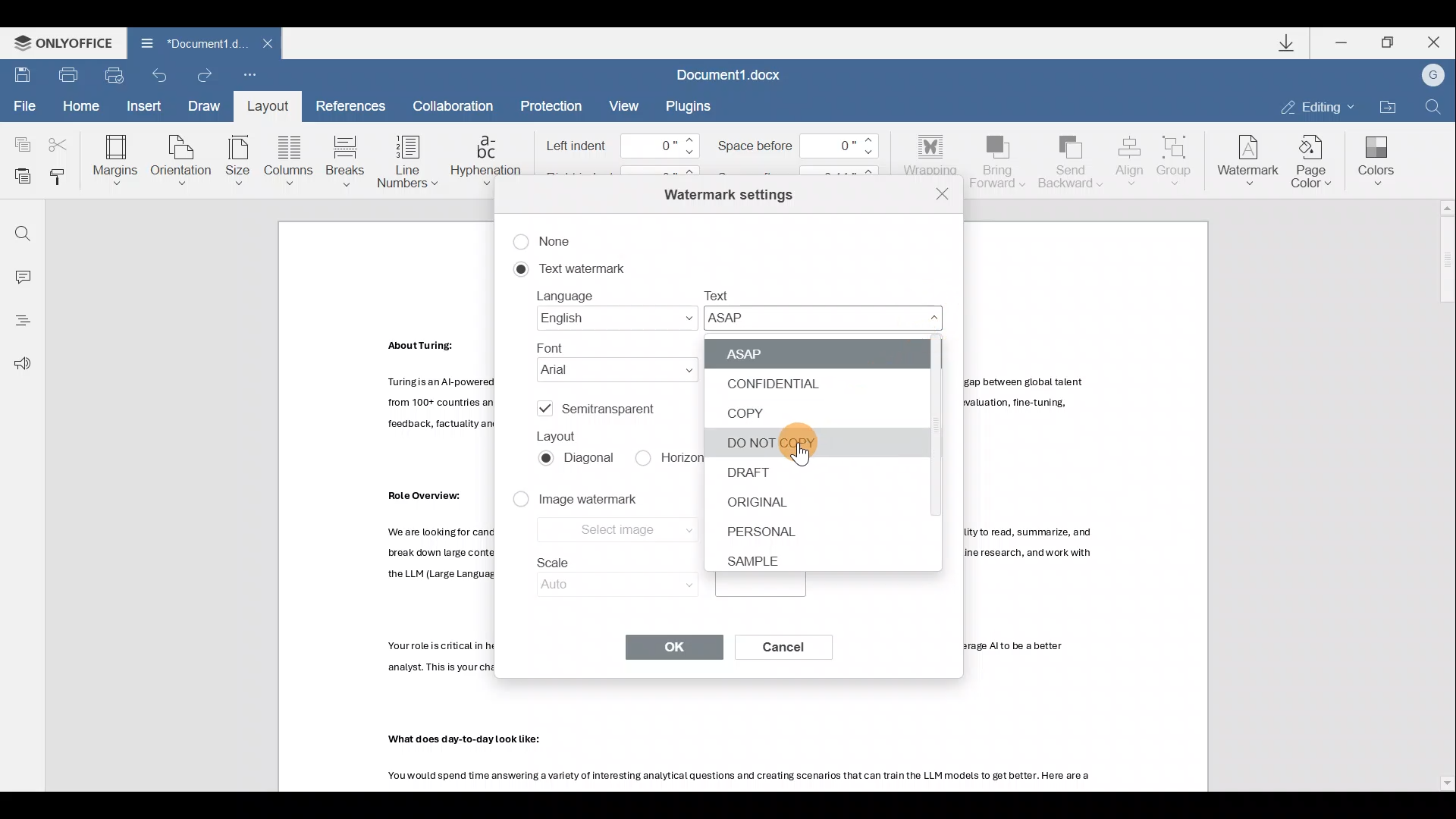  What do you see at coordinates (673, 647) in the screenshot?
I see `OK` at bounding box center [673, 647].